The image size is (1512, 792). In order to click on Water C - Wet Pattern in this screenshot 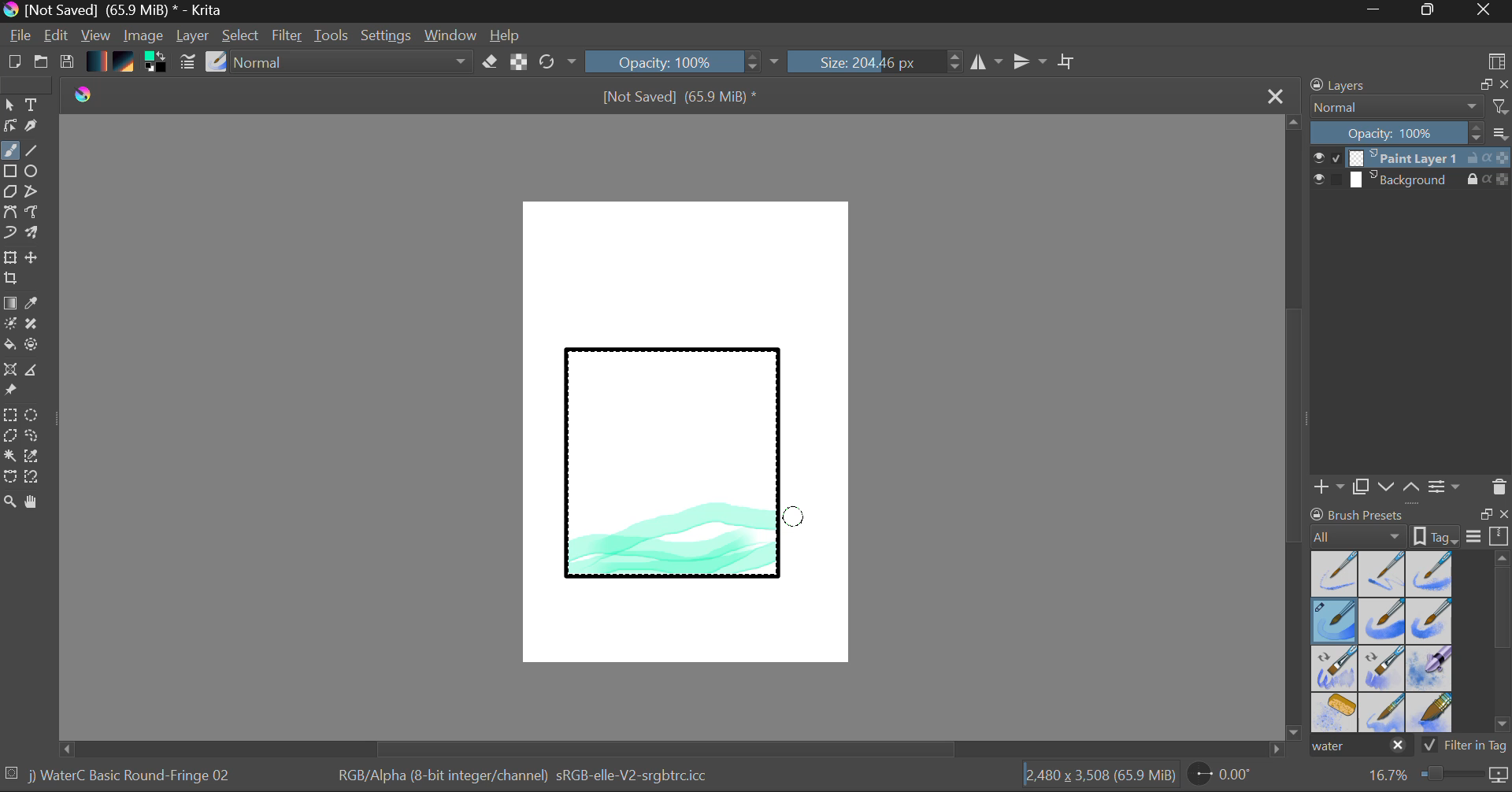, I will do `click(1429, 574)`.